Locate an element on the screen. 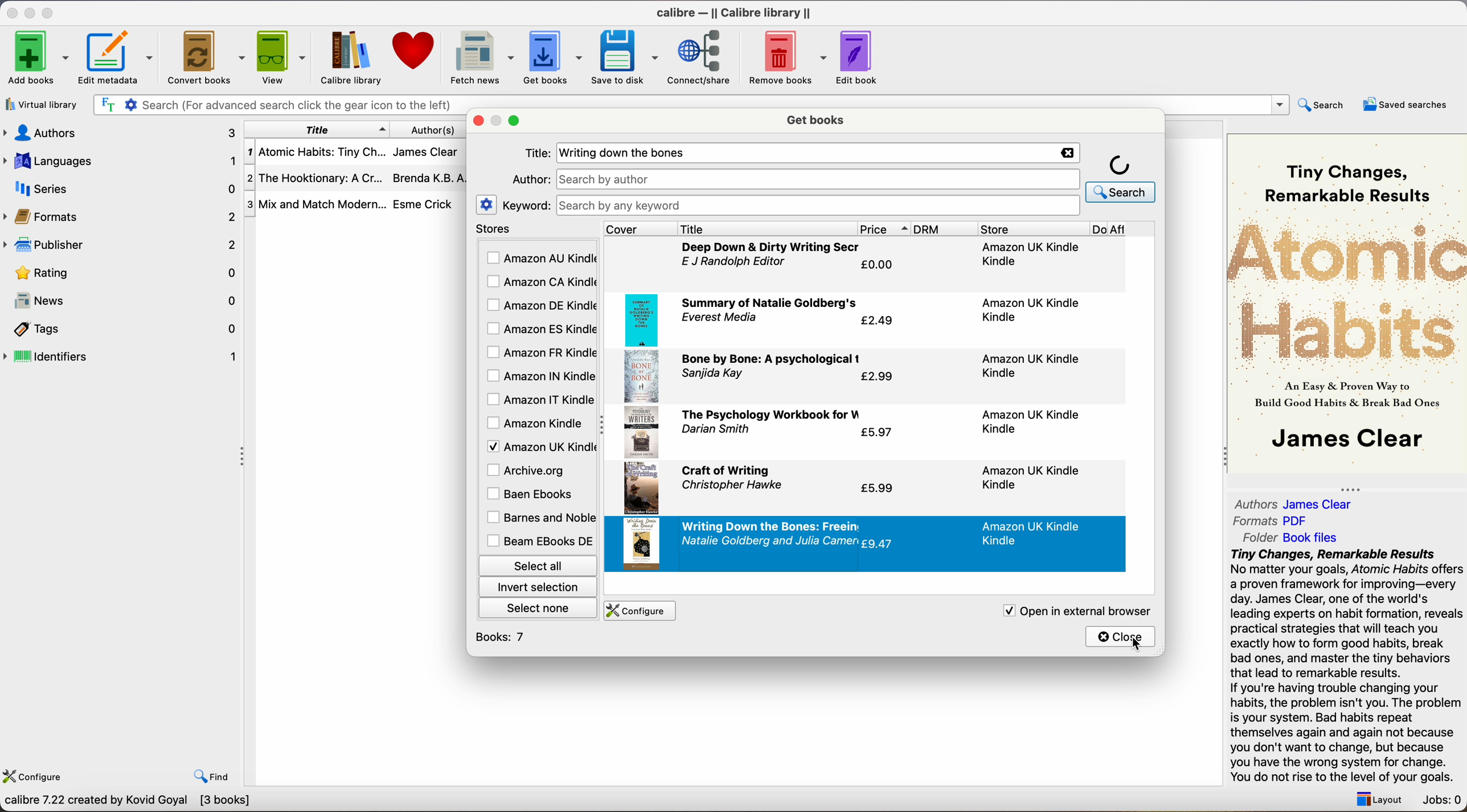 Image resolution: width=1467 pixels, height=812 pixels. layout is located at coordinates (1376, 799).